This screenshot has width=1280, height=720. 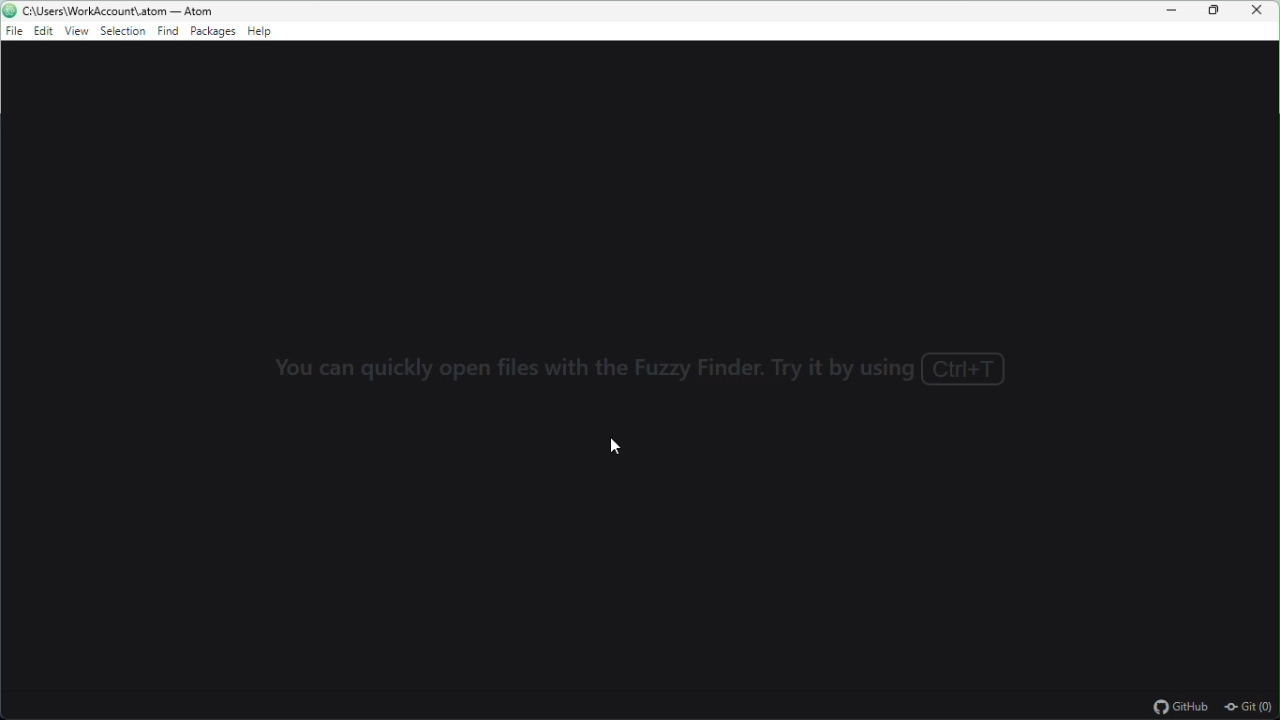 I want to click on Close, so click(x=1262, y=11).